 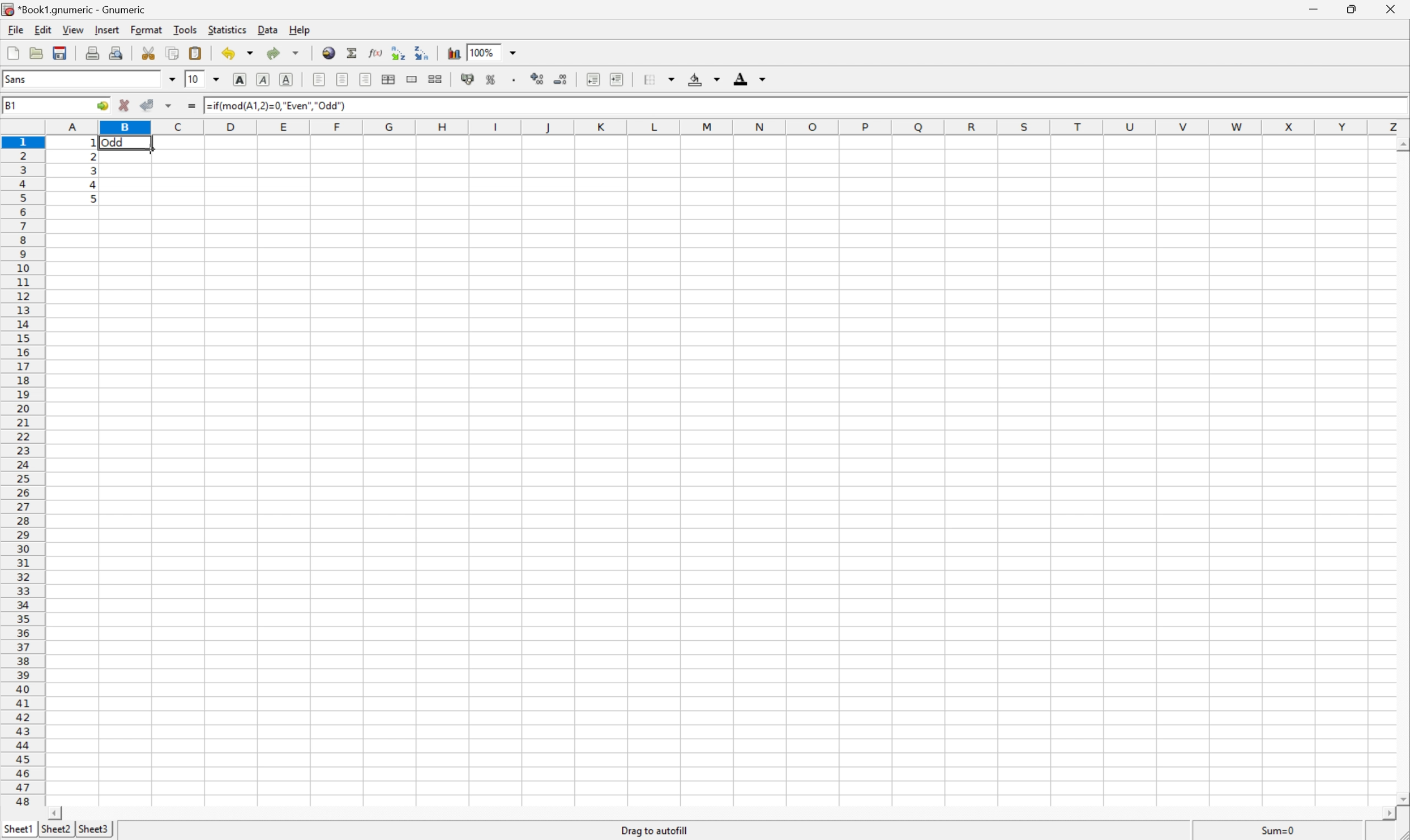 What do you see at coordinates (514, 79) in the screenshot?
I see `Set the format of the selected cells to include a thousands separator` at bounding box center [514, 79].